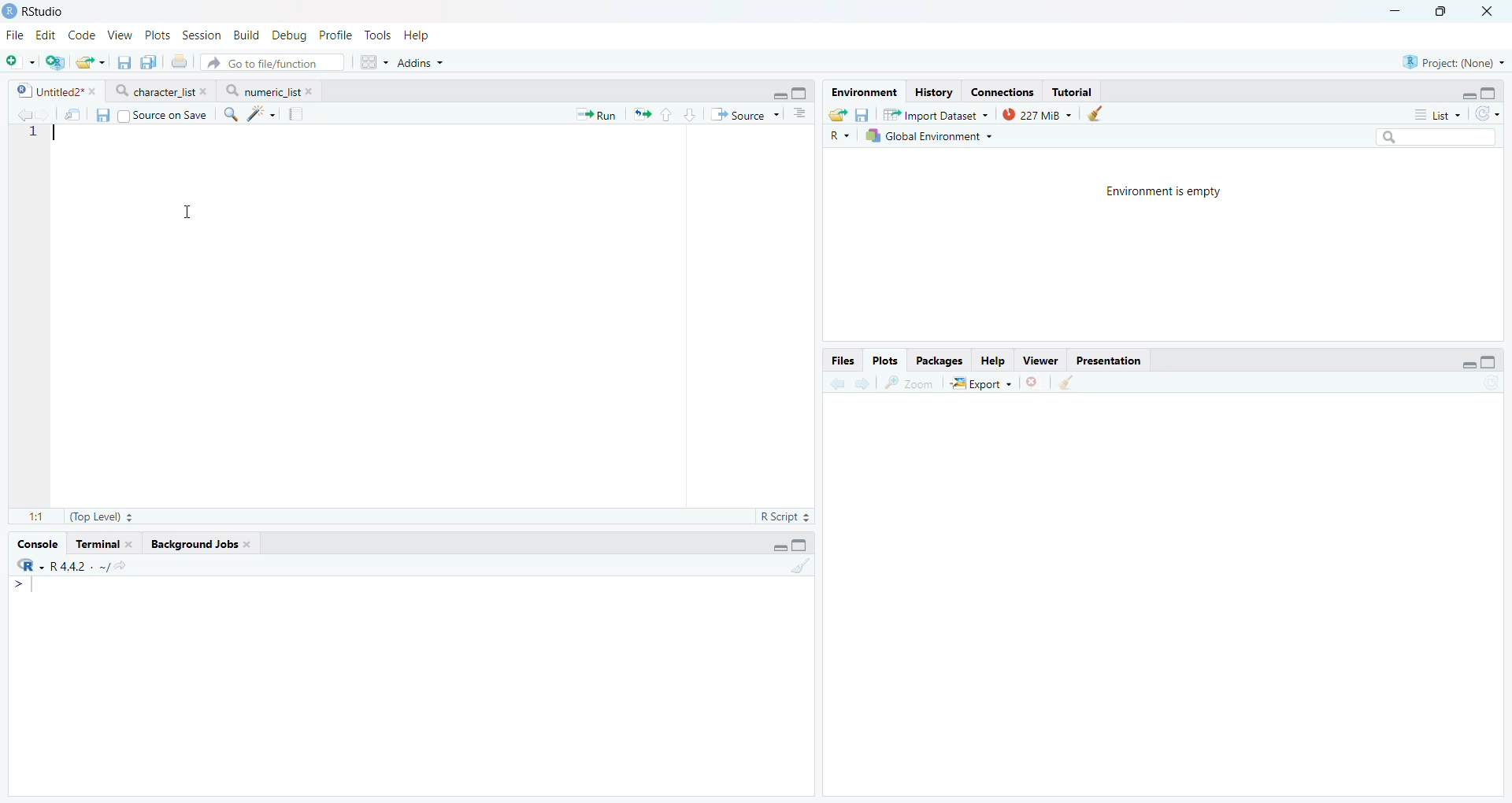 The image size is (1512, 803). Describe the element at coordinates (801, 113) in the screenshot. I see `Show document outline` at that location.